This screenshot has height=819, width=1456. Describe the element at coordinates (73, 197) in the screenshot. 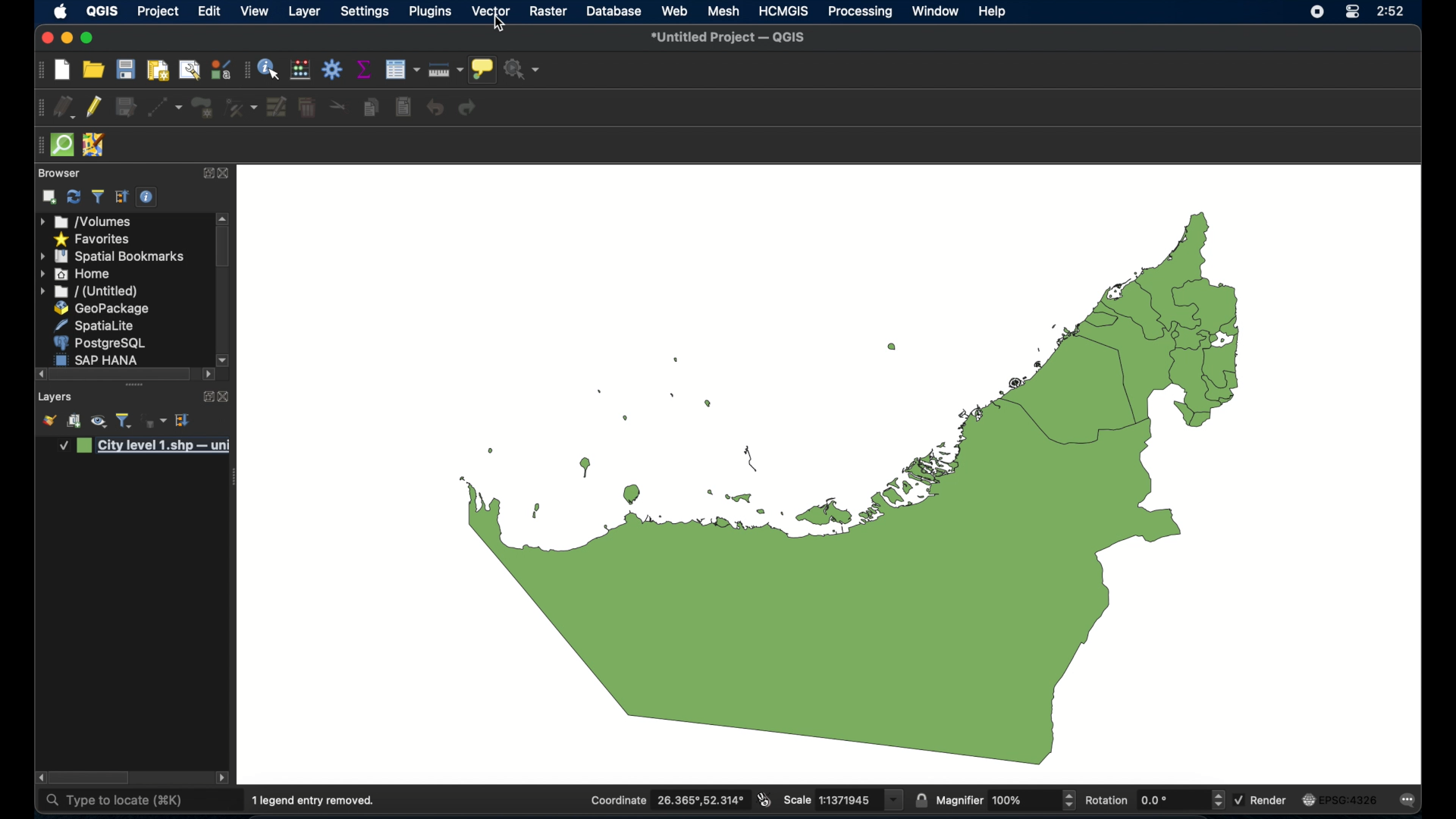

I see `refresh` at that location.